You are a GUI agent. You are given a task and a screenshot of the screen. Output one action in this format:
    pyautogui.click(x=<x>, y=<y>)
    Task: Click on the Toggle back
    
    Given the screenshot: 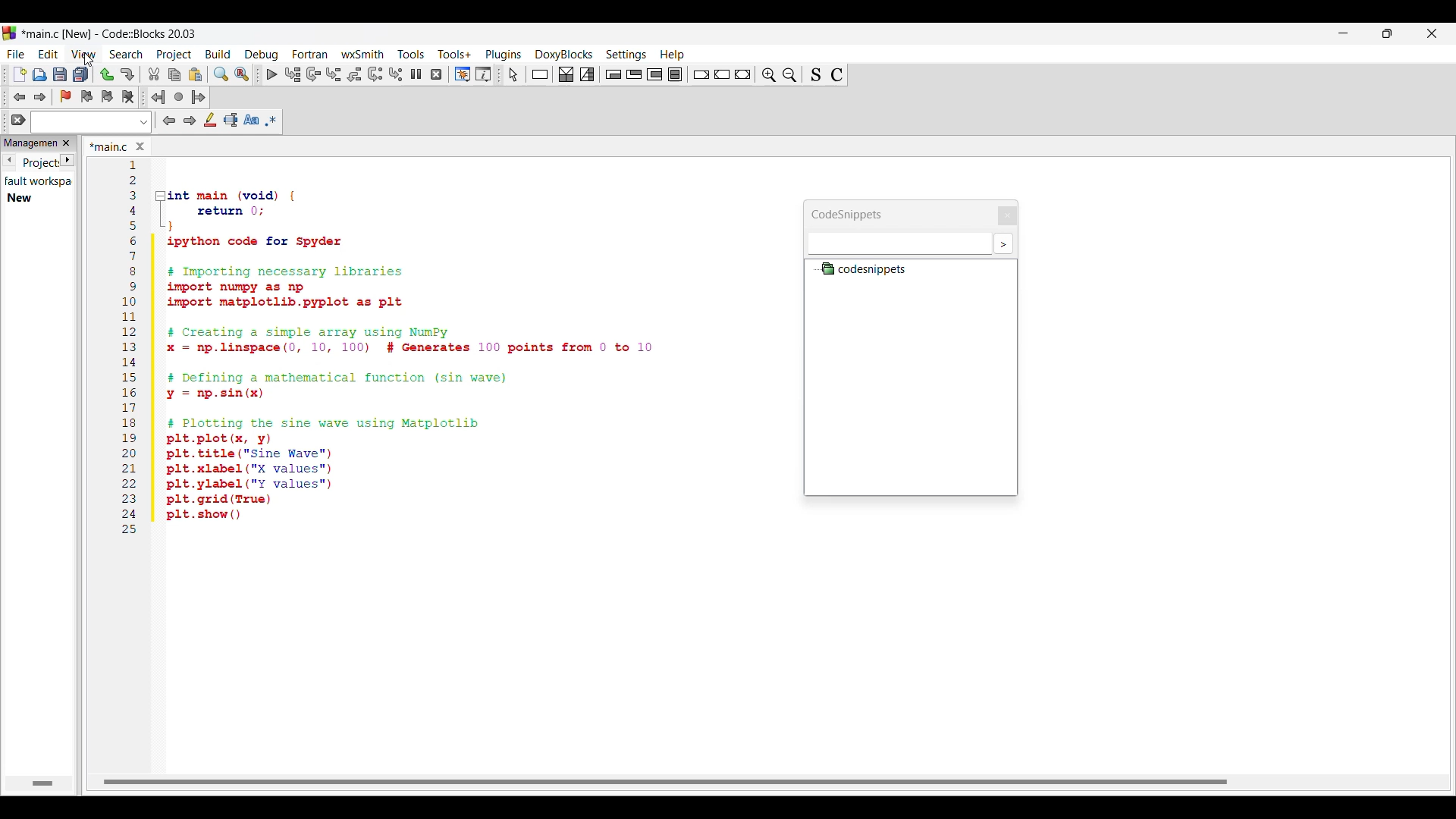 What is the action you would take?
    pyautogui.click(x=20, y=98)
    